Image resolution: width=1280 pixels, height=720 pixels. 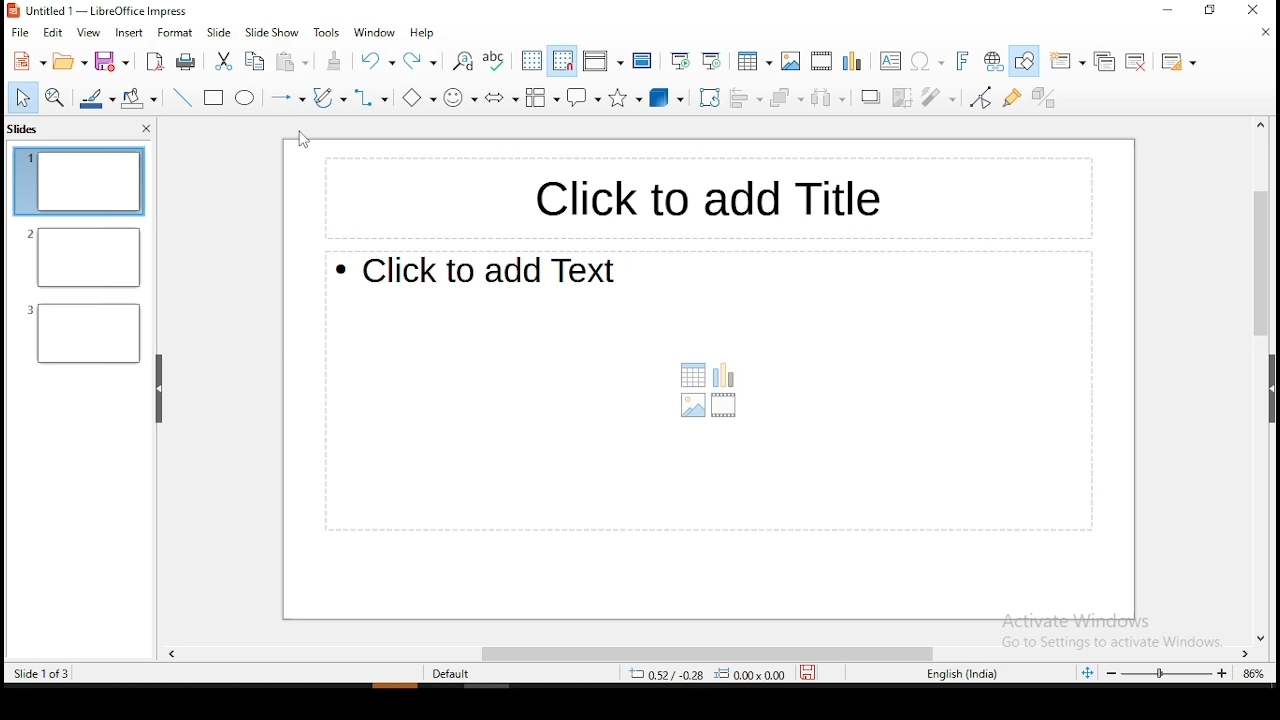 What do you see at coordinates (984, 96) in the screenshot?
I see `toggle point edit mode` at bounding box center [984, 96].